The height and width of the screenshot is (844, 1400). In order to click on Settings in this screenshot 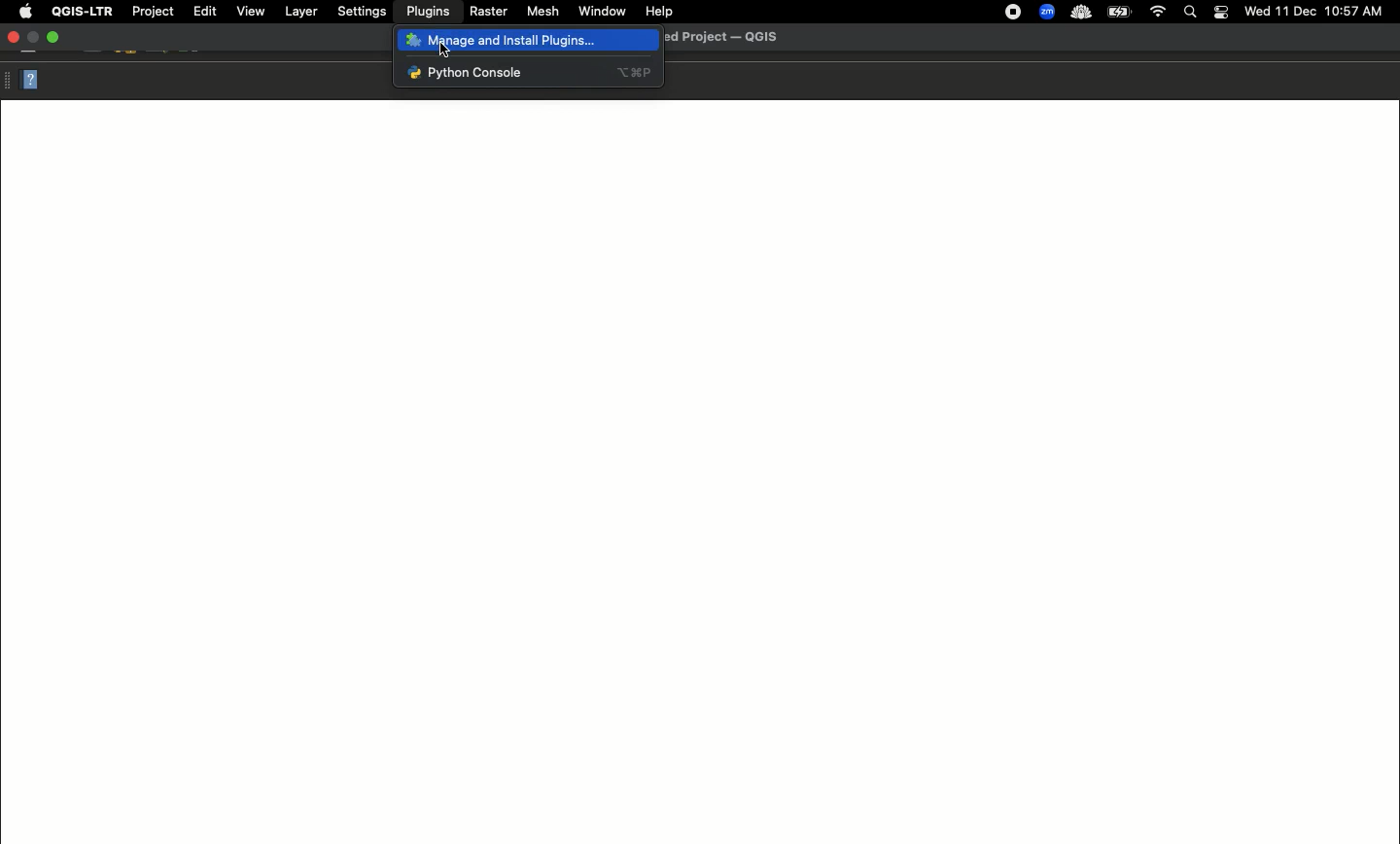, I will do `click(361, 11)`.